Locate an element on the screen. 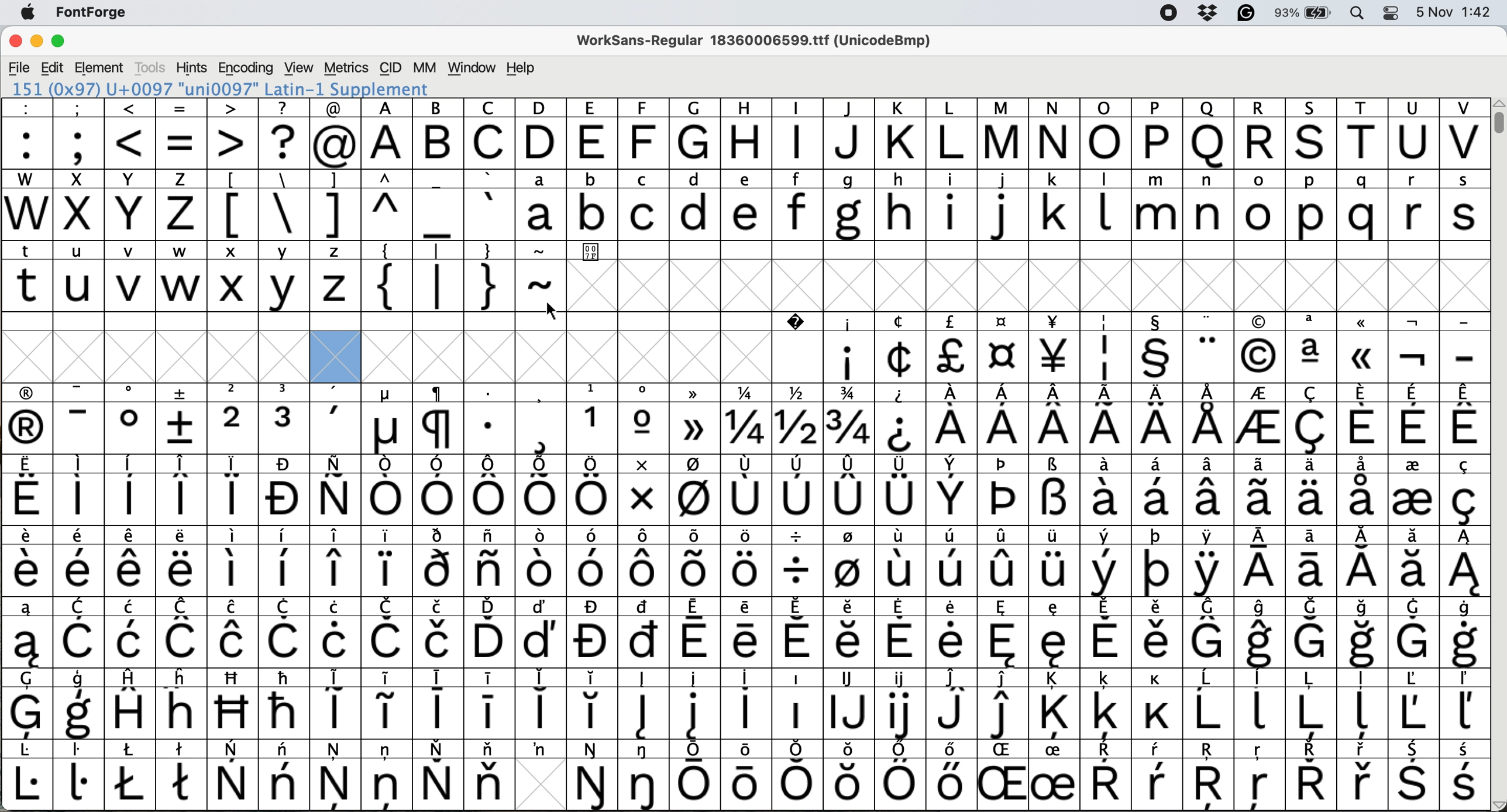 The width and height of the screenshot is (1507, 812). ` is located at coordinates (489, 205).